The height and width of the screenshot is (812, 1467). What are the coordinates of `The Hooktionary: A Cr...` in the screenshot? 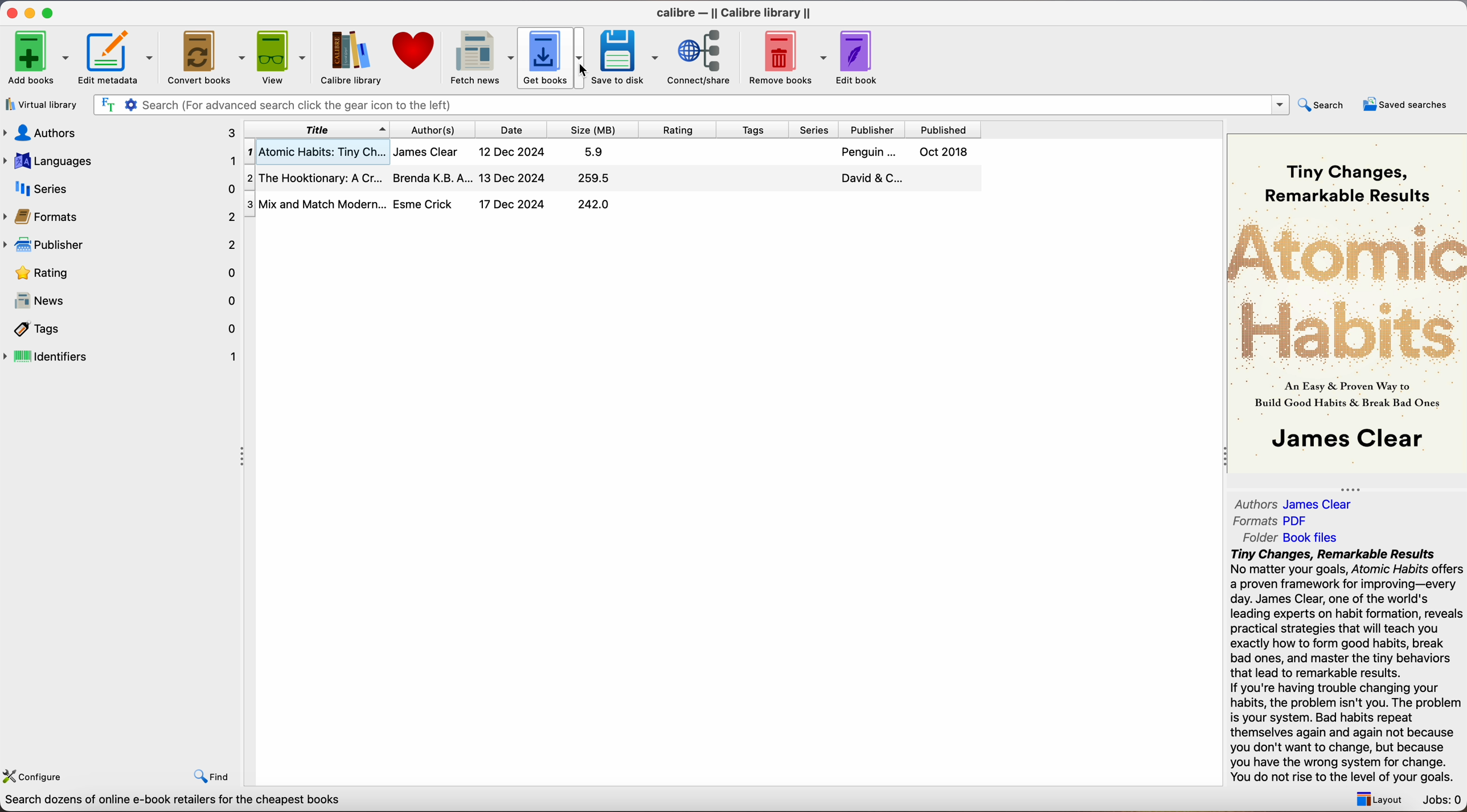 It's located at (614, 179).